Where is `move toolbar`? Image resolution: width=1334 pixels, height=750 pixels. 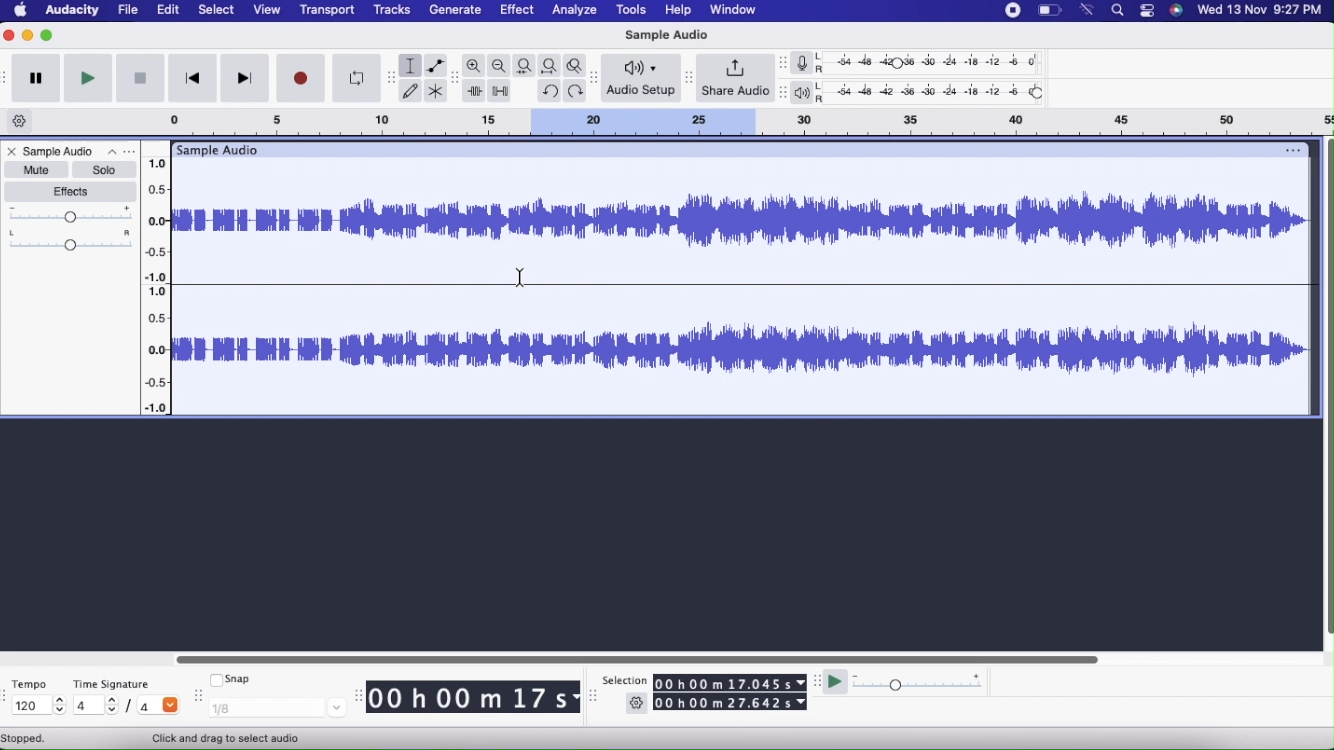 move toolbar is located at coordinates (784, 93).